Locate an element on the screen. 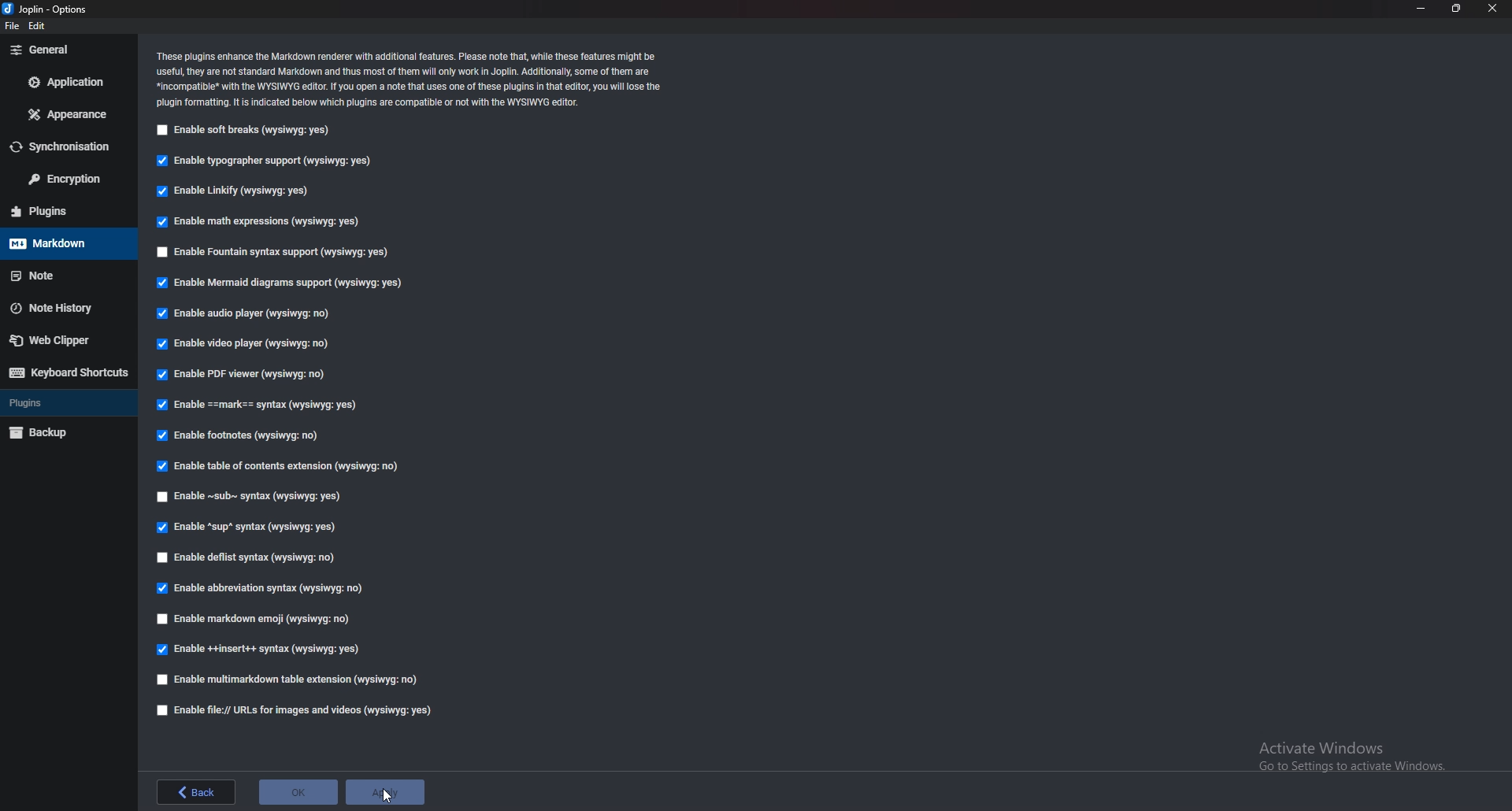 Image resolution: width=1512 pixels, height=811 pixels. edit is located at coordinates (38, 26).